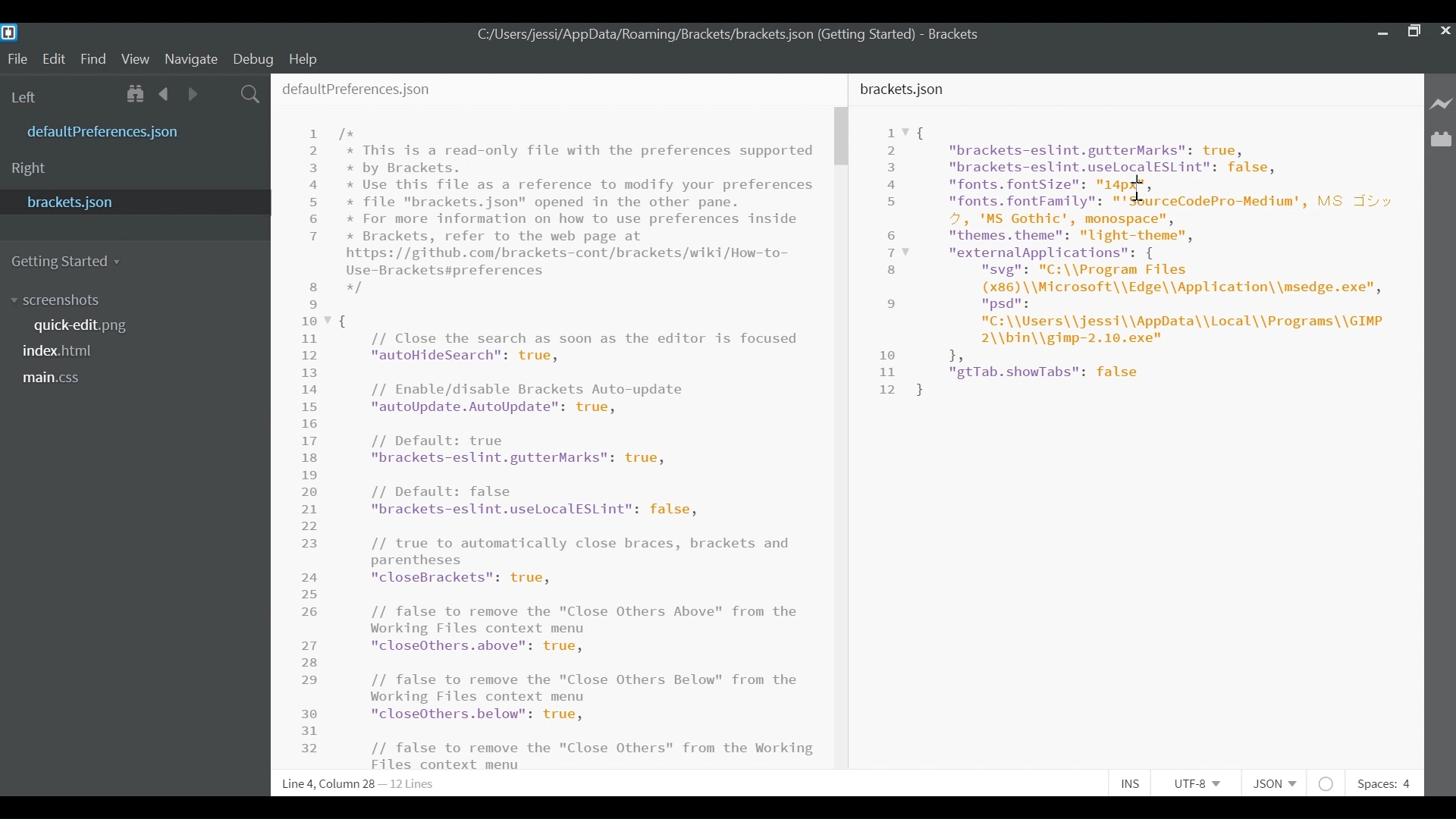 The height and width of the screenshot is (819, 1456). Describe the element at coordinates (1446, 33) in the screenshot. I see `Close` at that location.